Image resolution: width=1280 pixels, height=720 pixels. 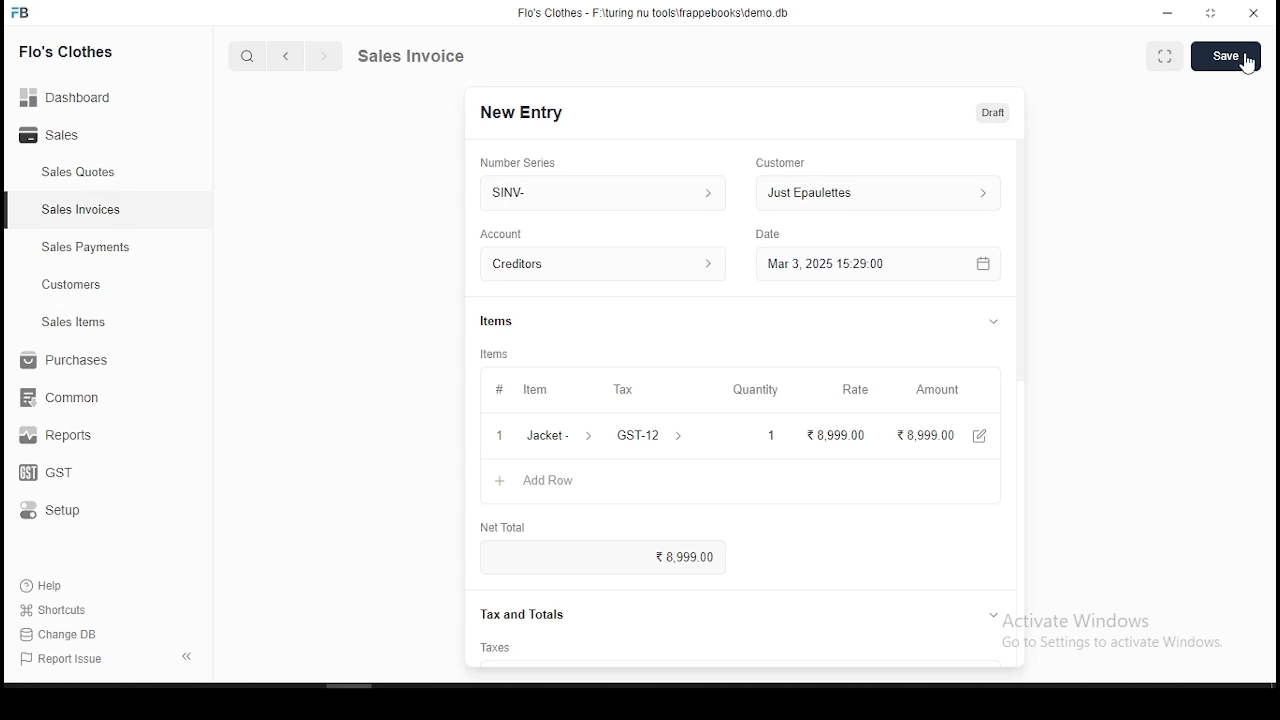 What do you see at coordinates (1227, 56) in the screenshot?
I see `save` at bounding box center [1227, 56].